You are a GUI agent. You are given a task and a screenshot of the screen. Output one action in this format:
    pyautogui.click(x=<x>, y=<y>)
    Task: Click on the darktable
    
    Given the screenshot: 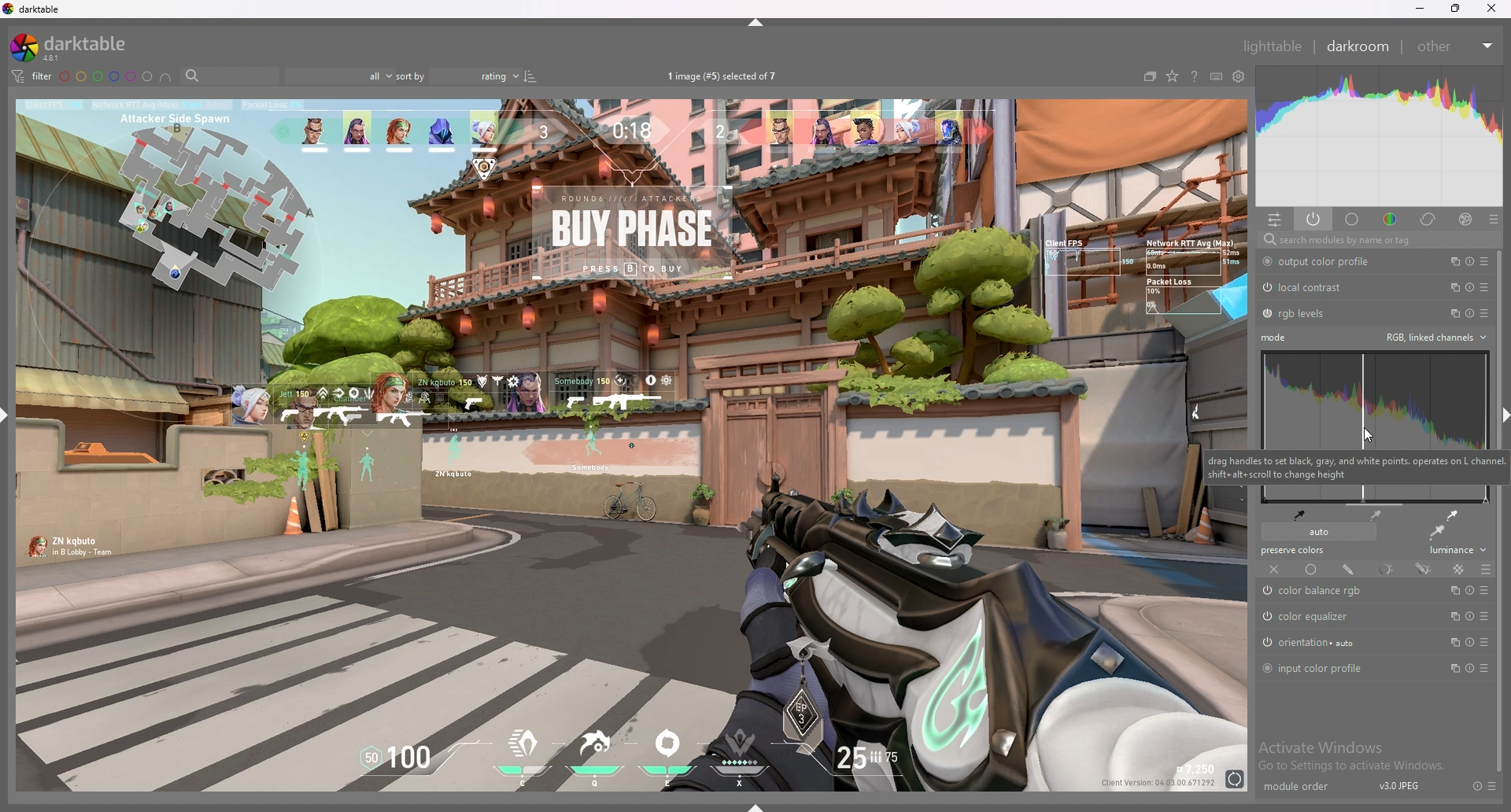 What is the action you would take?
    pyautogui.click(x=69, y=47)
    